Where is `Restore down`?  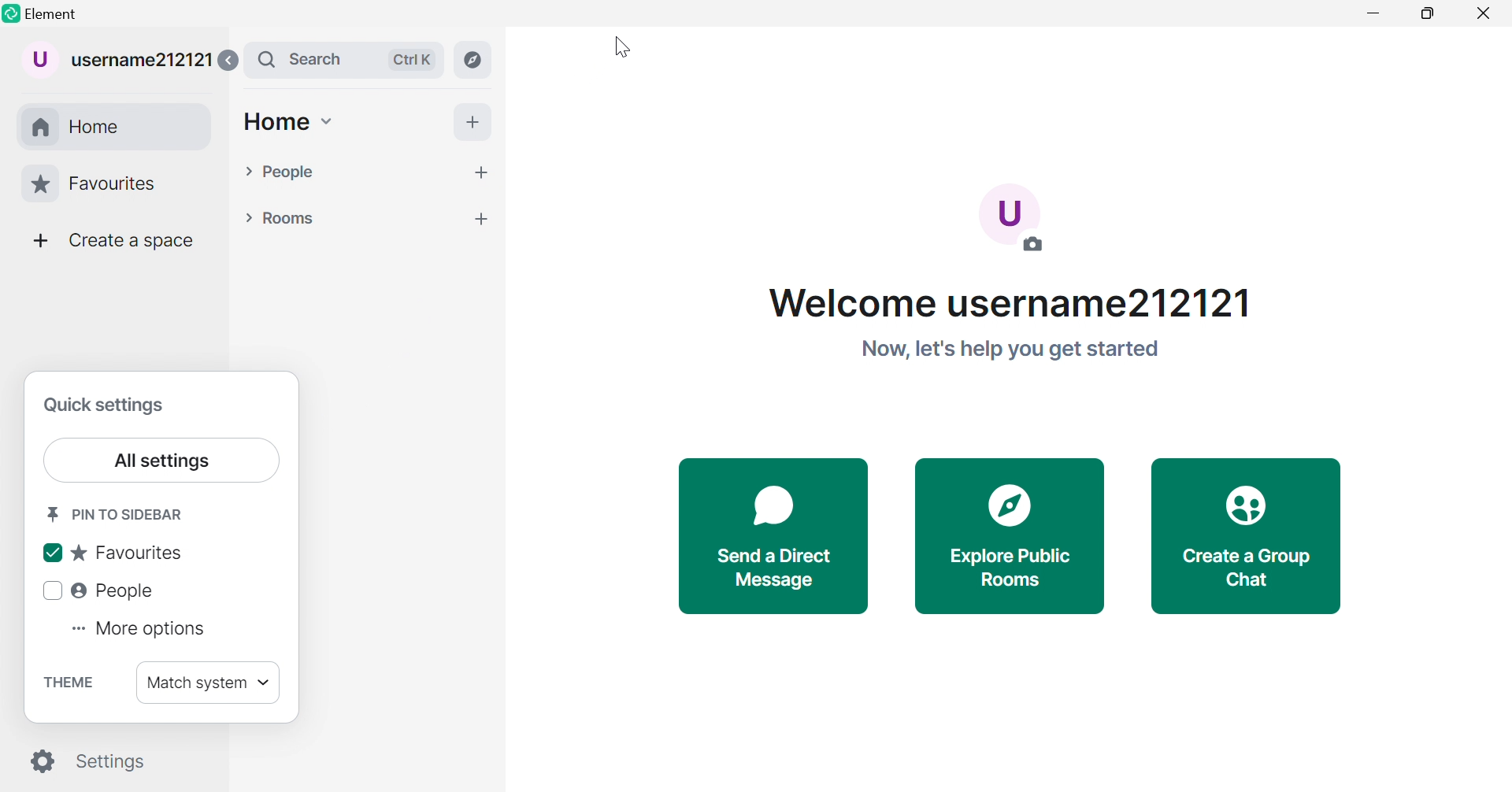 Restore down is located at coordinates (1426, 16).